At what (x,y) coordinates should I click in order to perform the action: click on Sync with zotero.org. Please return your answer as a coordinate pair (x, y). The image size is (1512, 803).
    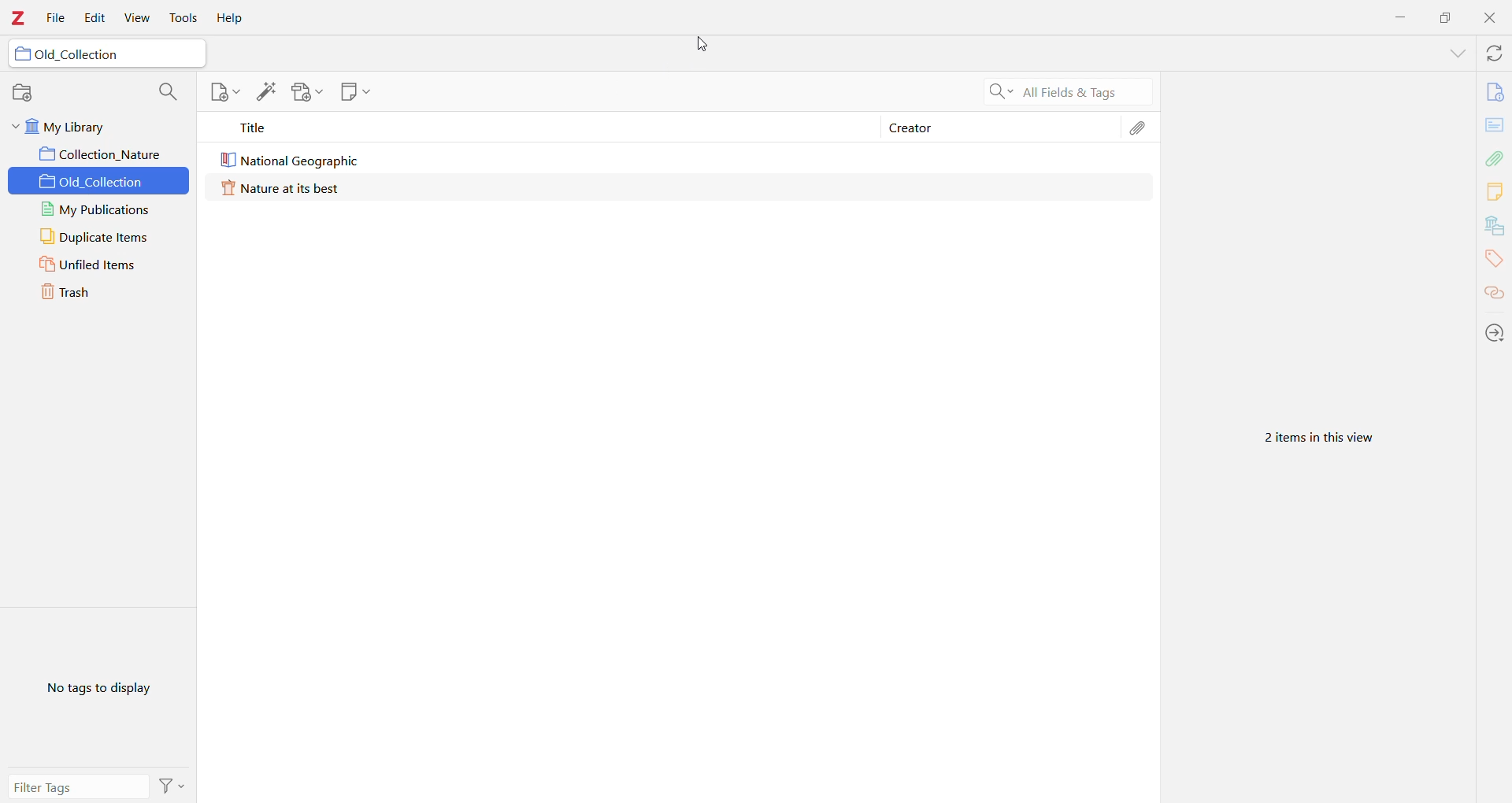
    Looking at the image, I should click on (1495, 54).